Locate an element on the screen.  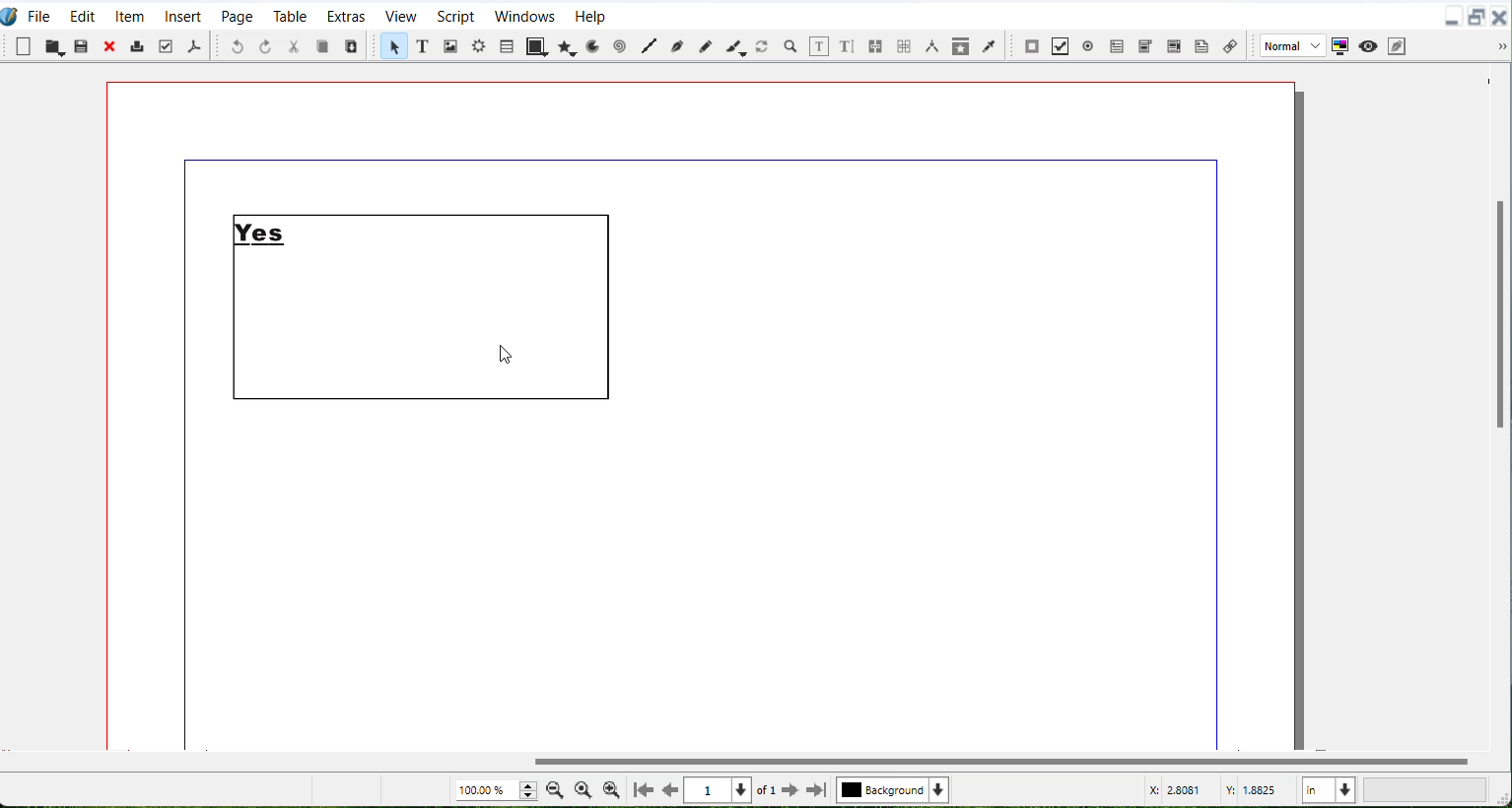
Item is located at coordinates (130, 14).